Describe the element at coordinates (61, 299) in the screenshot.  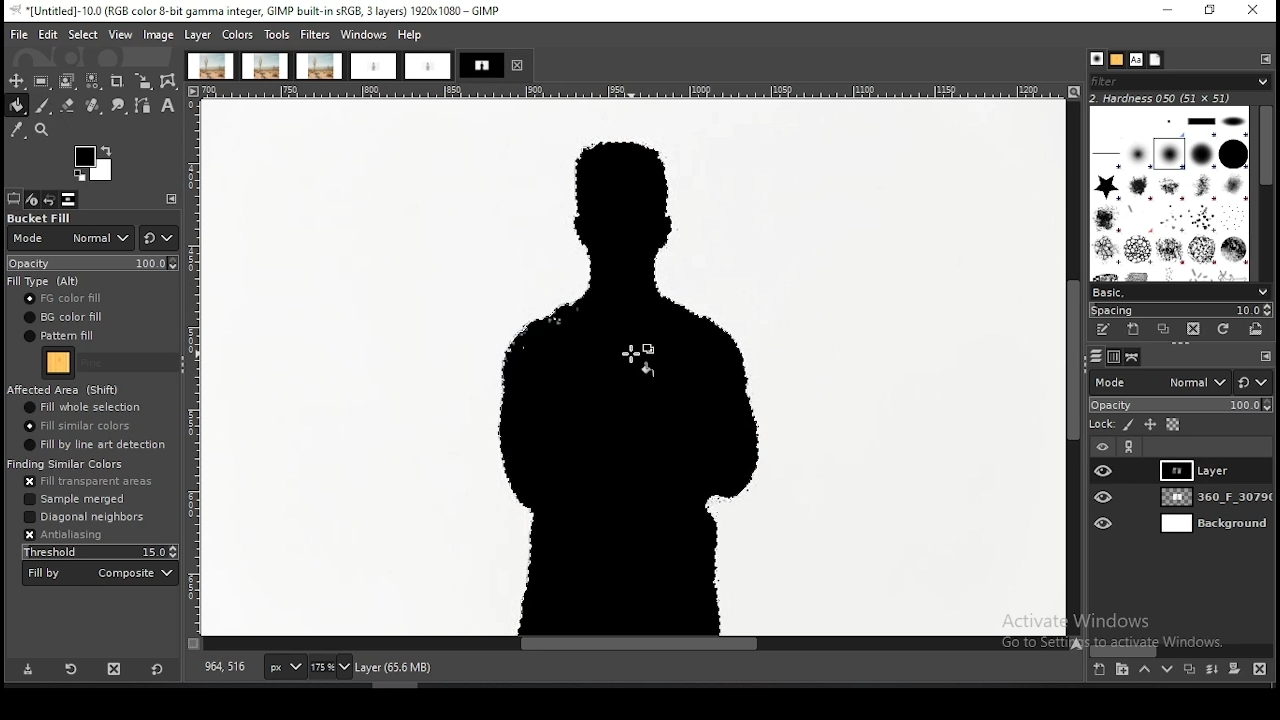
I see `FG color fill` at that location.